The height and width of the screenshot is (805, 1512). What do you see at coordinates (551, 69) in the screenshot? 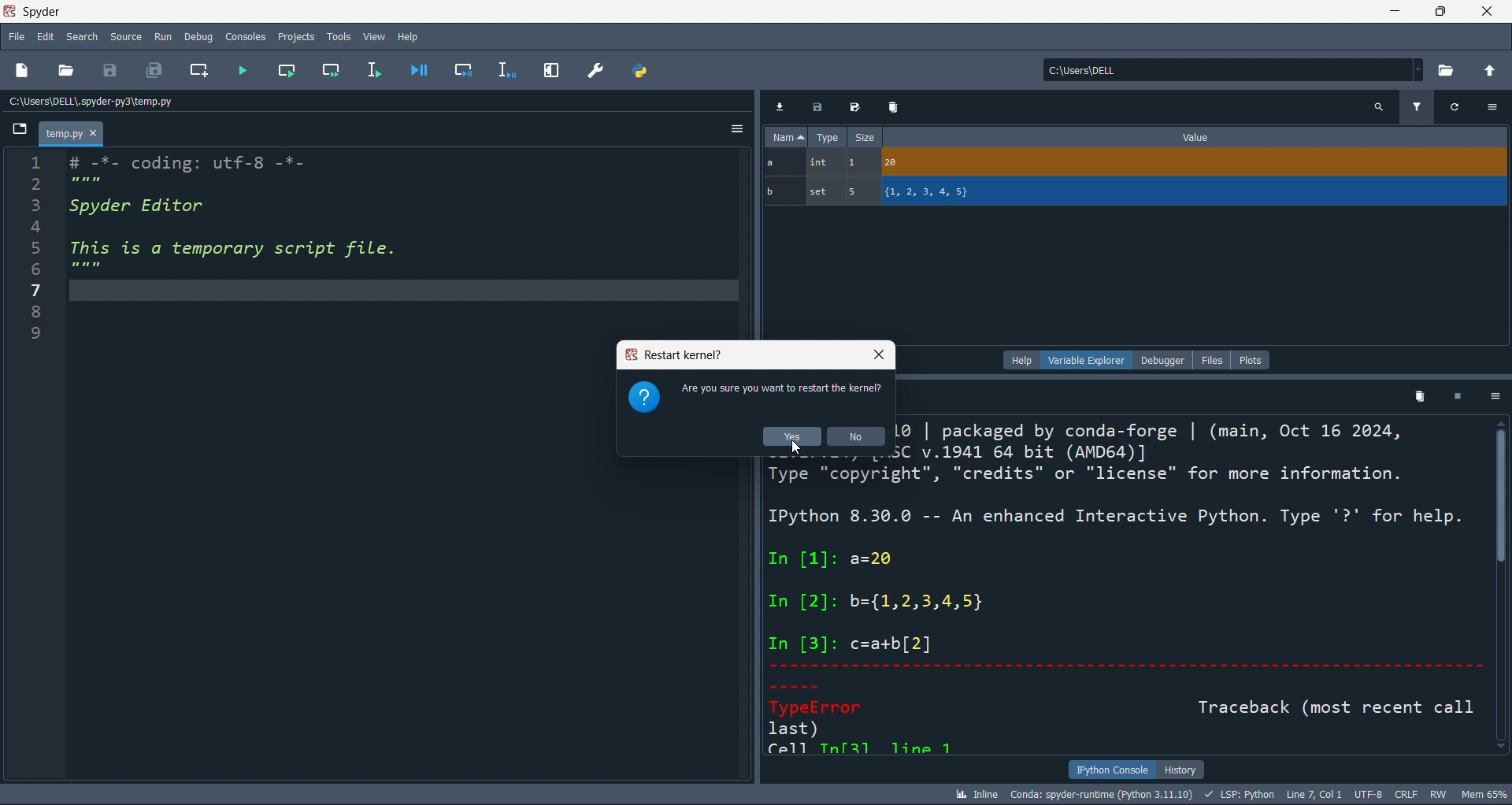
I see `expand pane` at bounding box center [551, 69].